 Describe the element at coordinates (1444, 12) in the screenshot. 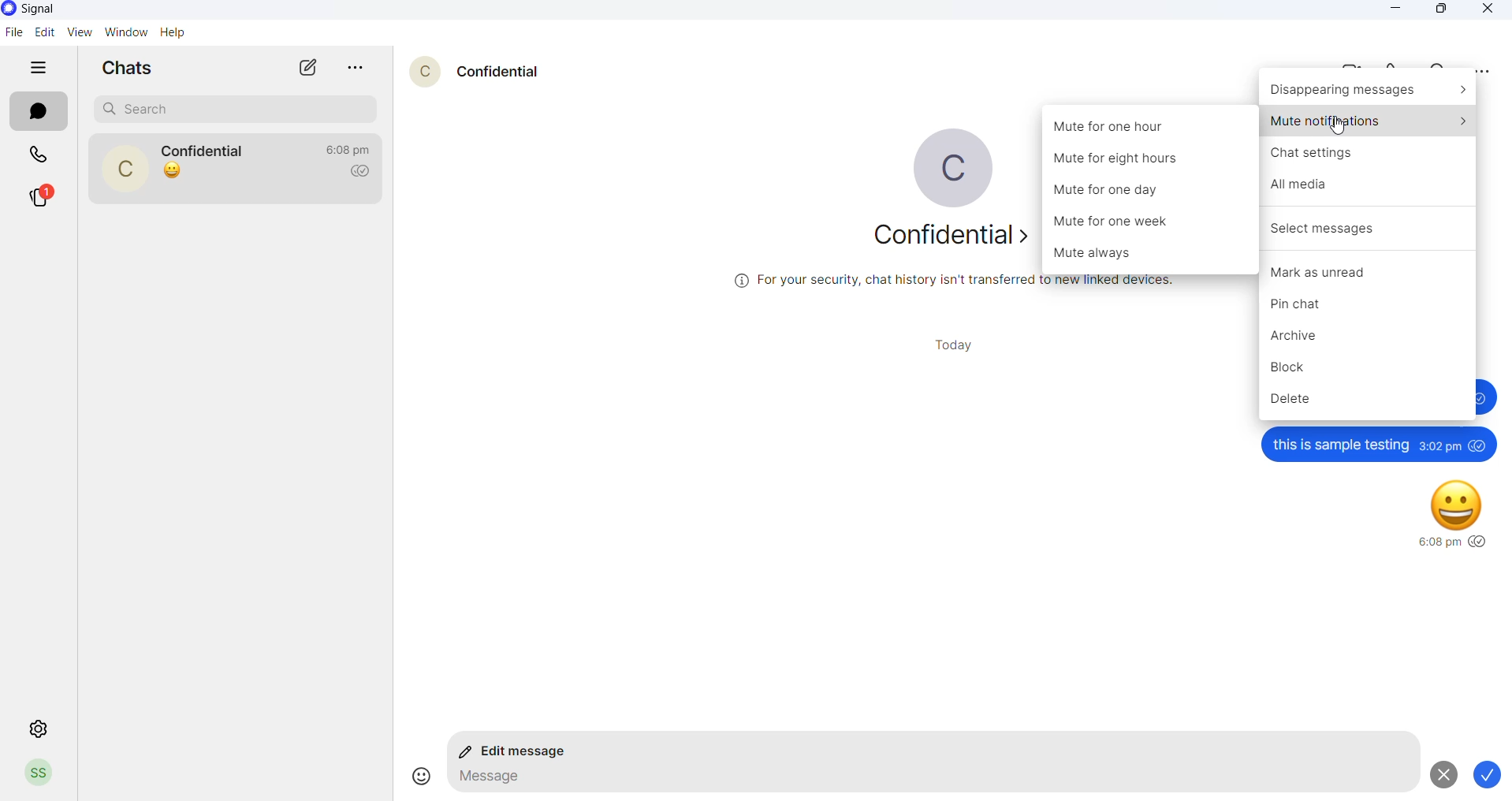

I see `maximize` at that location.